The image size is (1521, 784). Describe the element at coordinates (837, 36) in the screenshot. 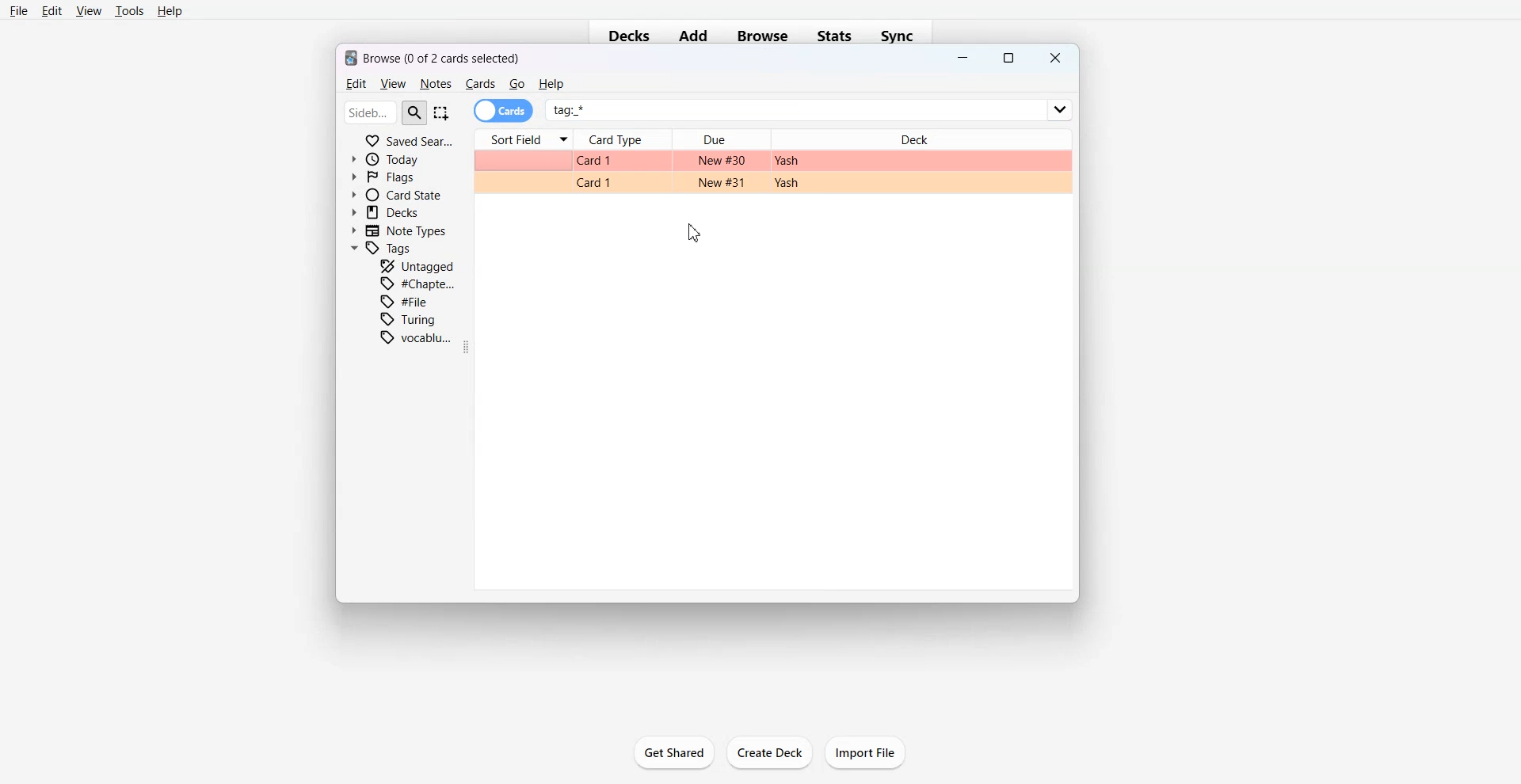

I see `Stats` at that location.